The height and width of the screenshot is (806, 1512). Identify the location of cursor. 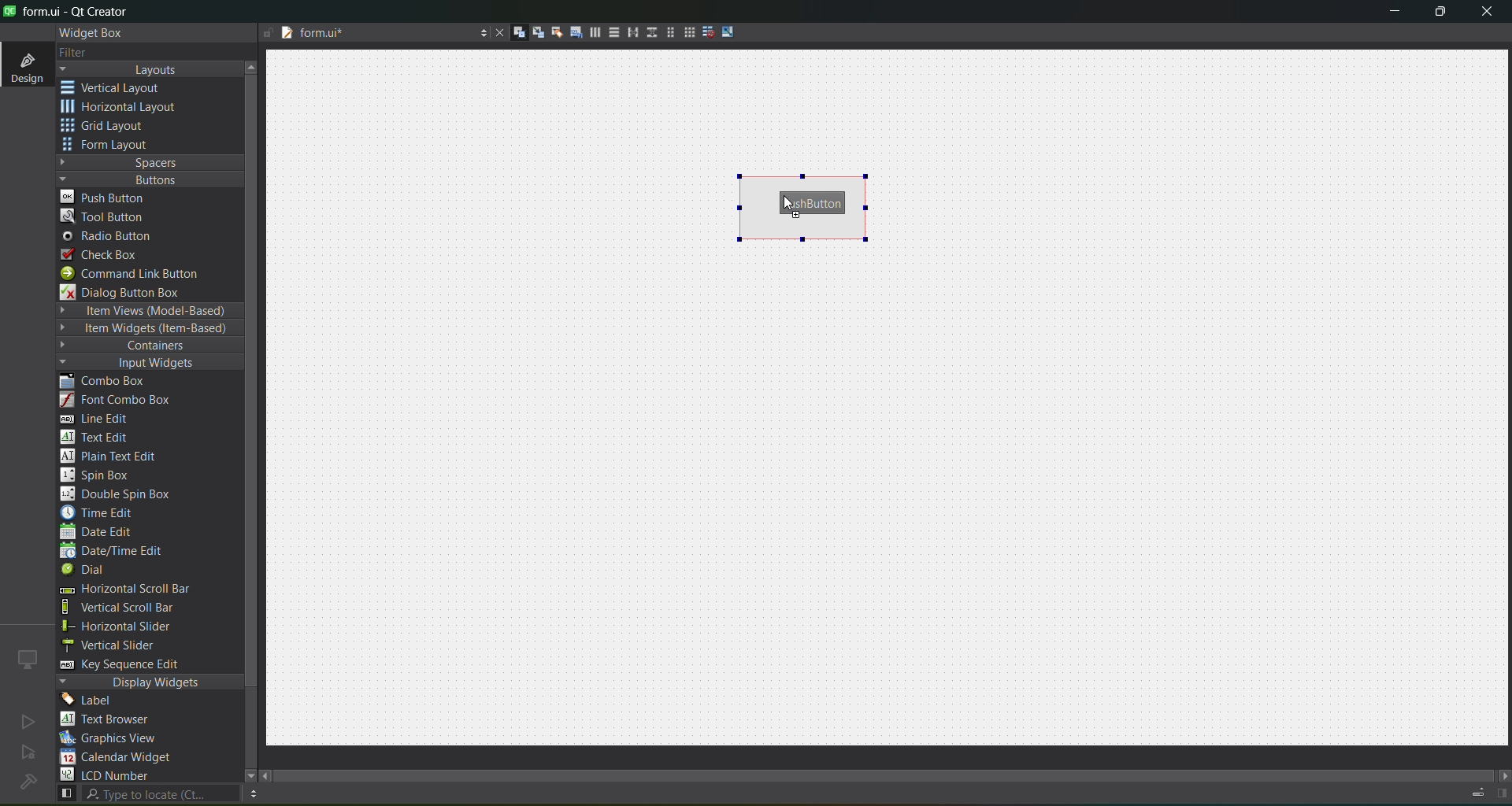
(789, 204).